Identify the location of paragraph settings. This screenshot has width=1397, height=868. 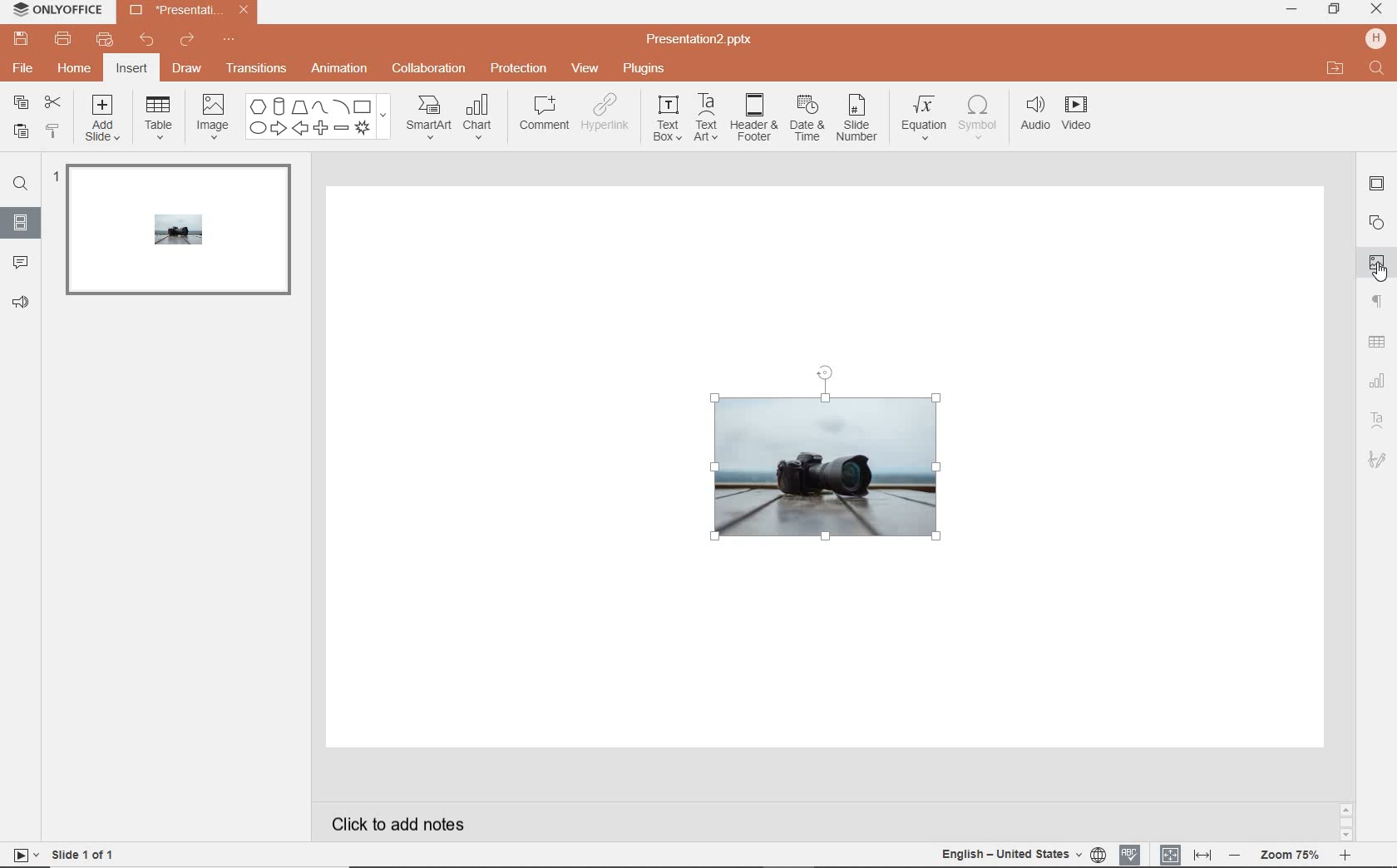
(1376, 303).